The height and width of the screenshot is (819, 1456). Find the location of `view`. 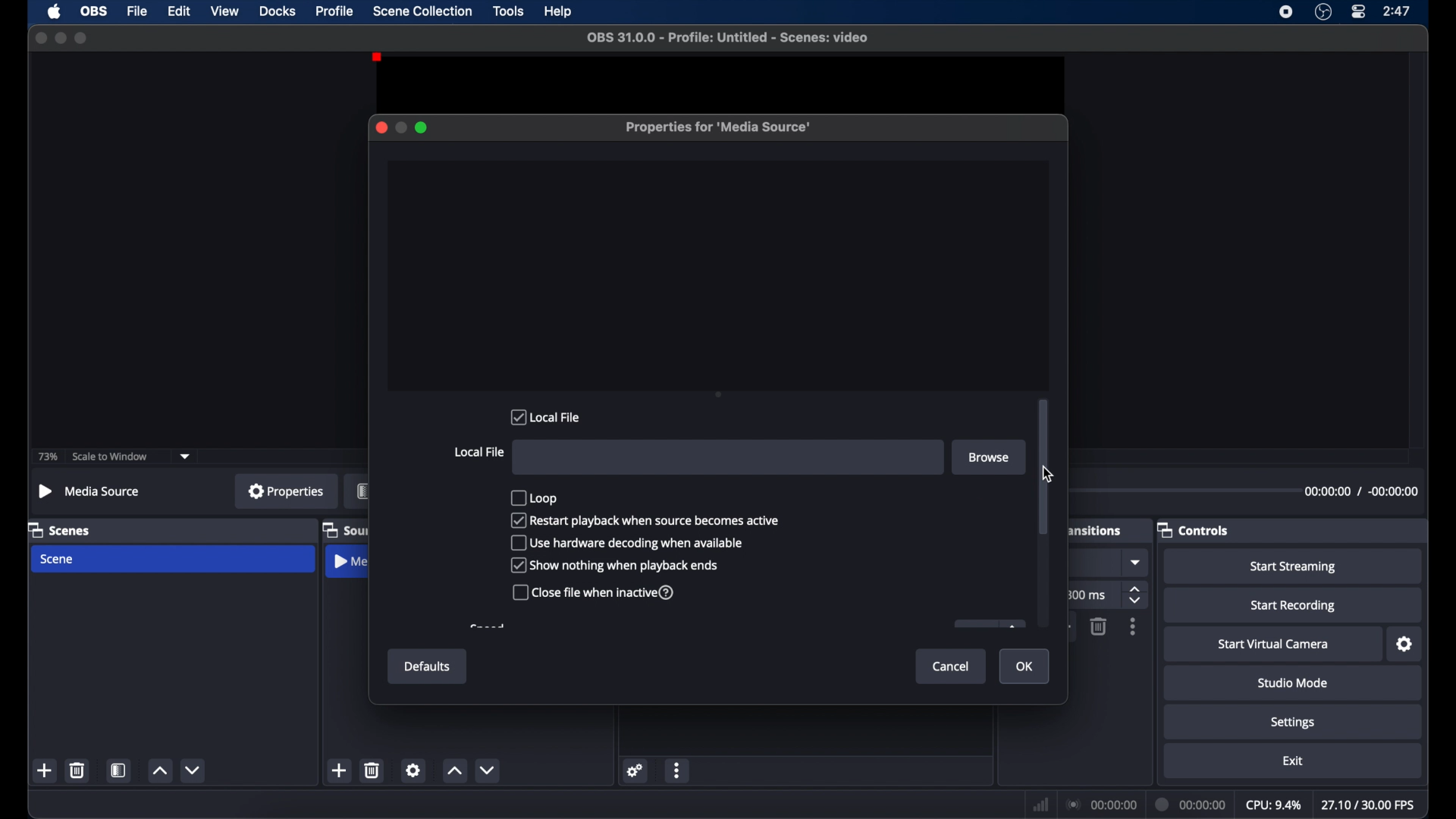

view is located at coordinates (226, 11).